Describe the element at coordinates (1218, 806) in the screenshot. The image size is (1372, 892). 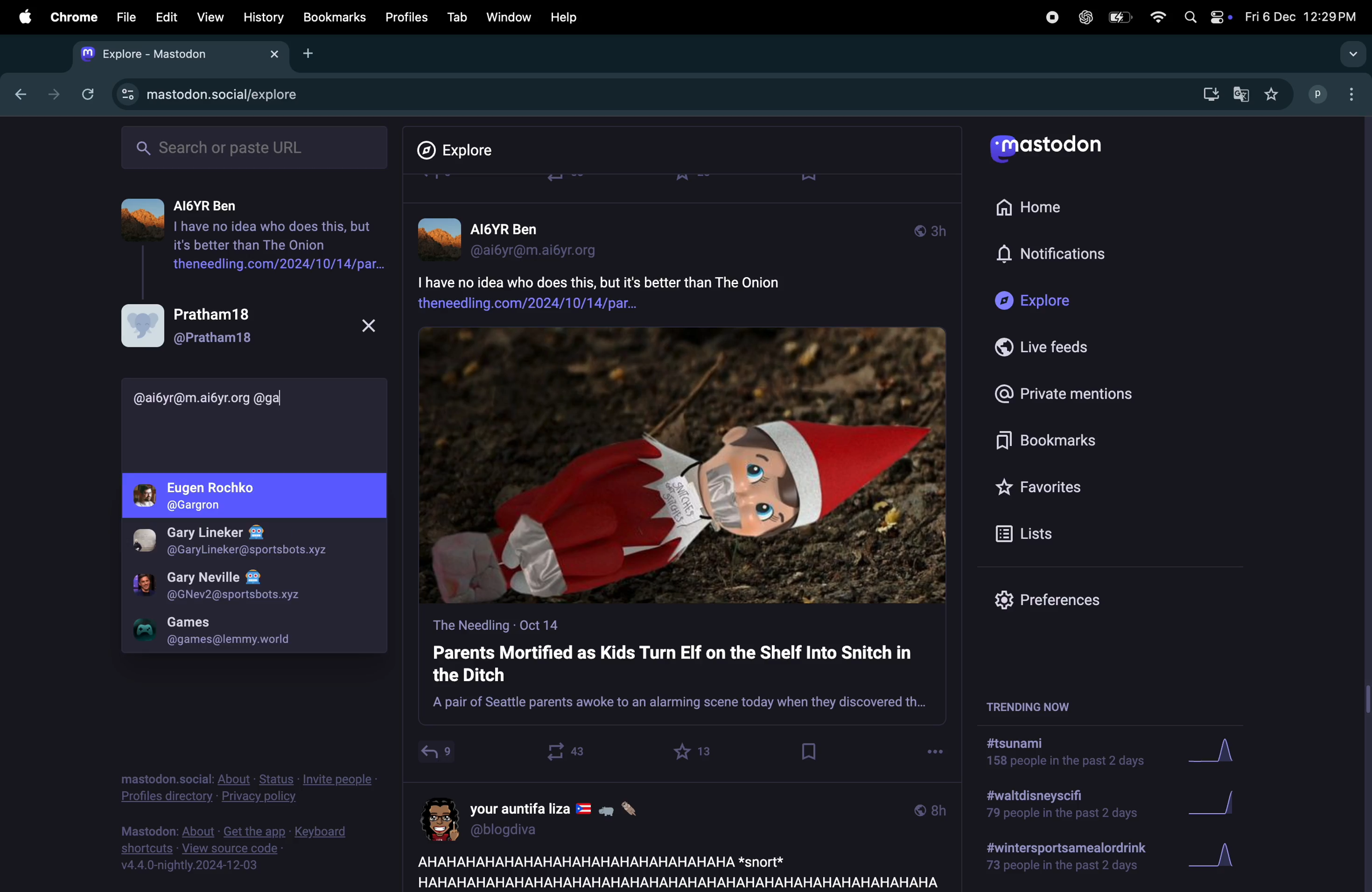
I see `graph` at that location.